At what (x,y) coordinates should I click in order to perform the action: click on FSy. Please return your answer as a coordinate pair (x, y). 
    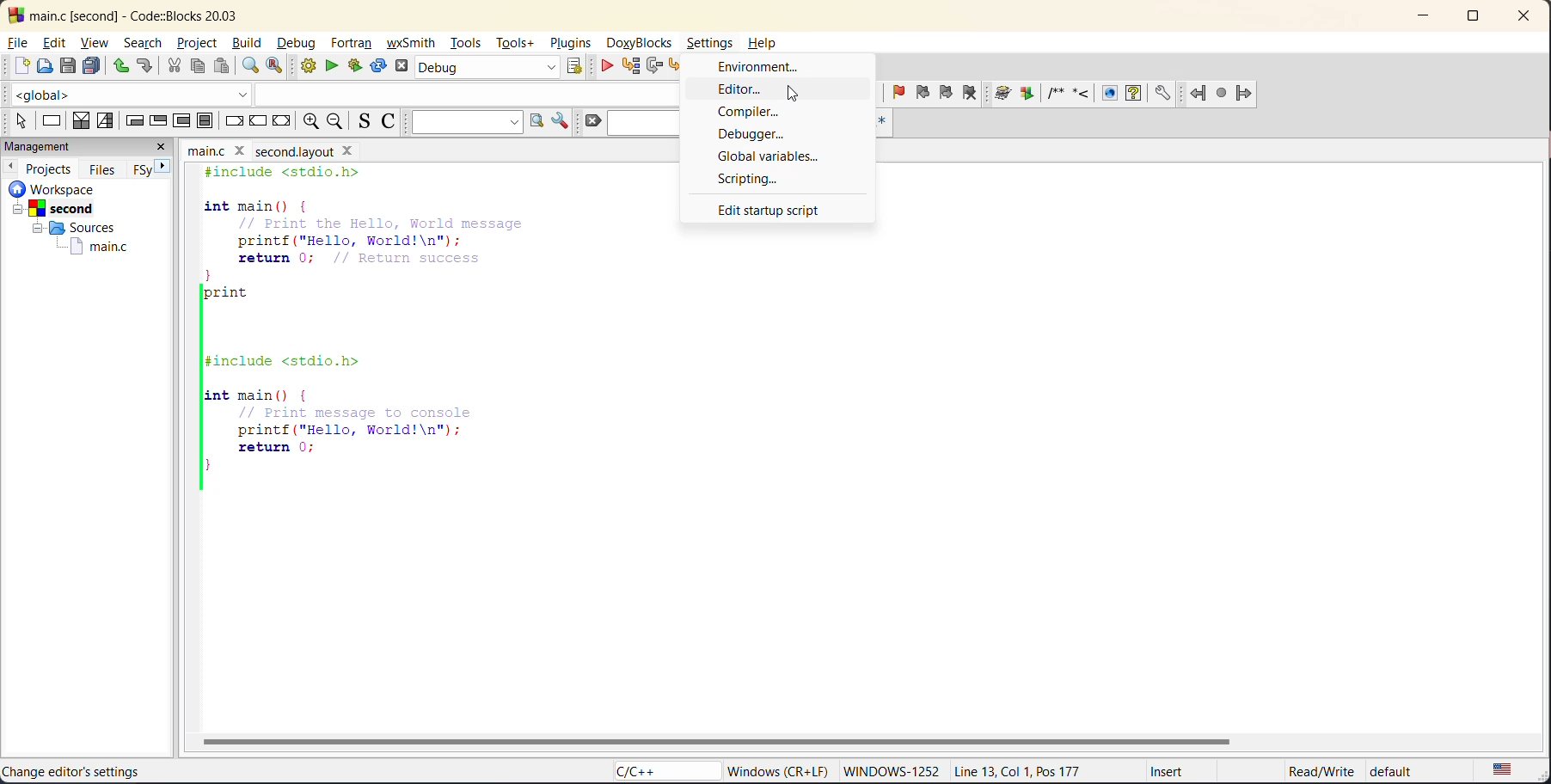
    Looking at the image, I should click on (144, 168).